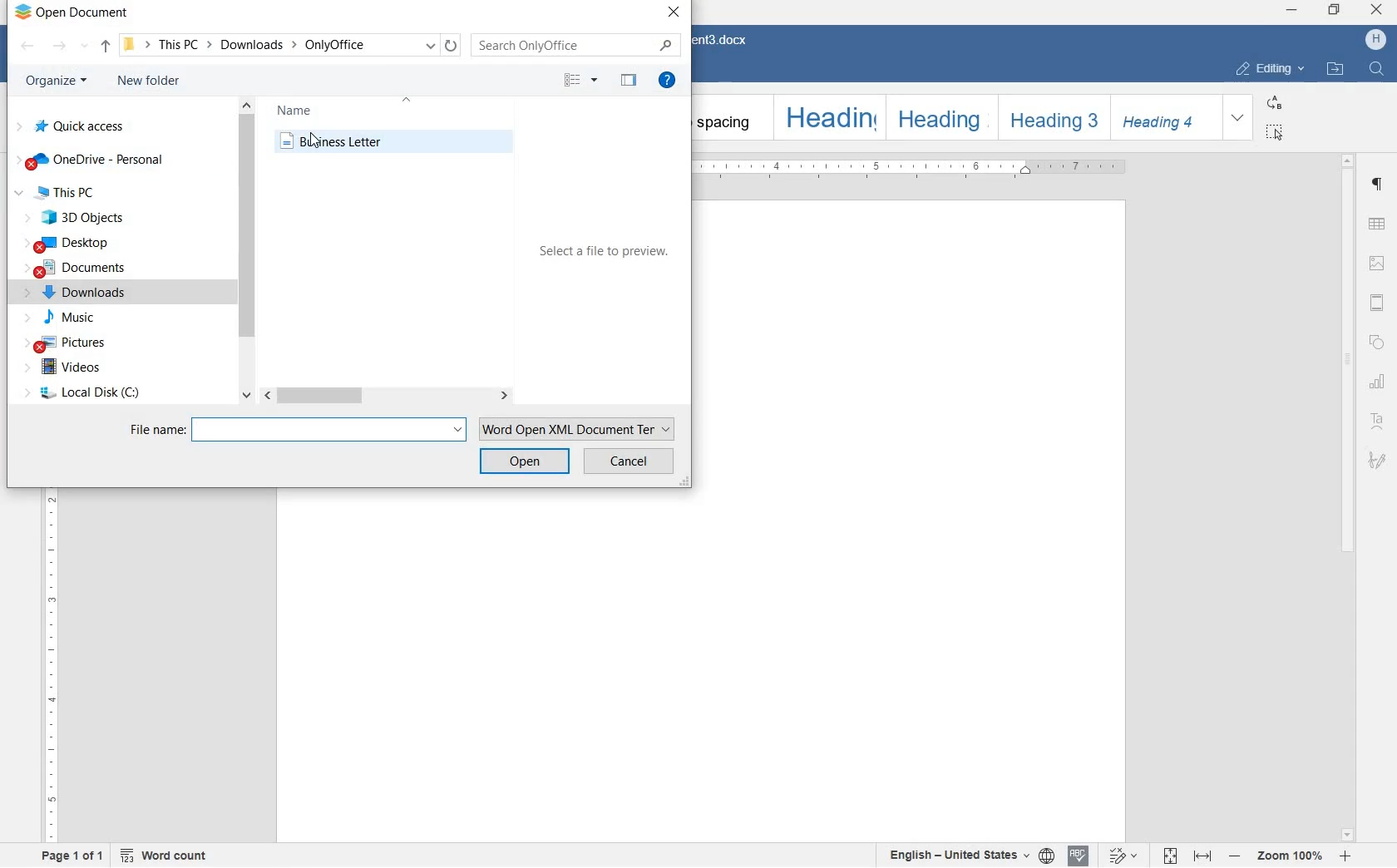 The image size is (1397, 868). Describe the element at coordinates (246, 254) in the screenshot. I see `scrollbar` at that location.